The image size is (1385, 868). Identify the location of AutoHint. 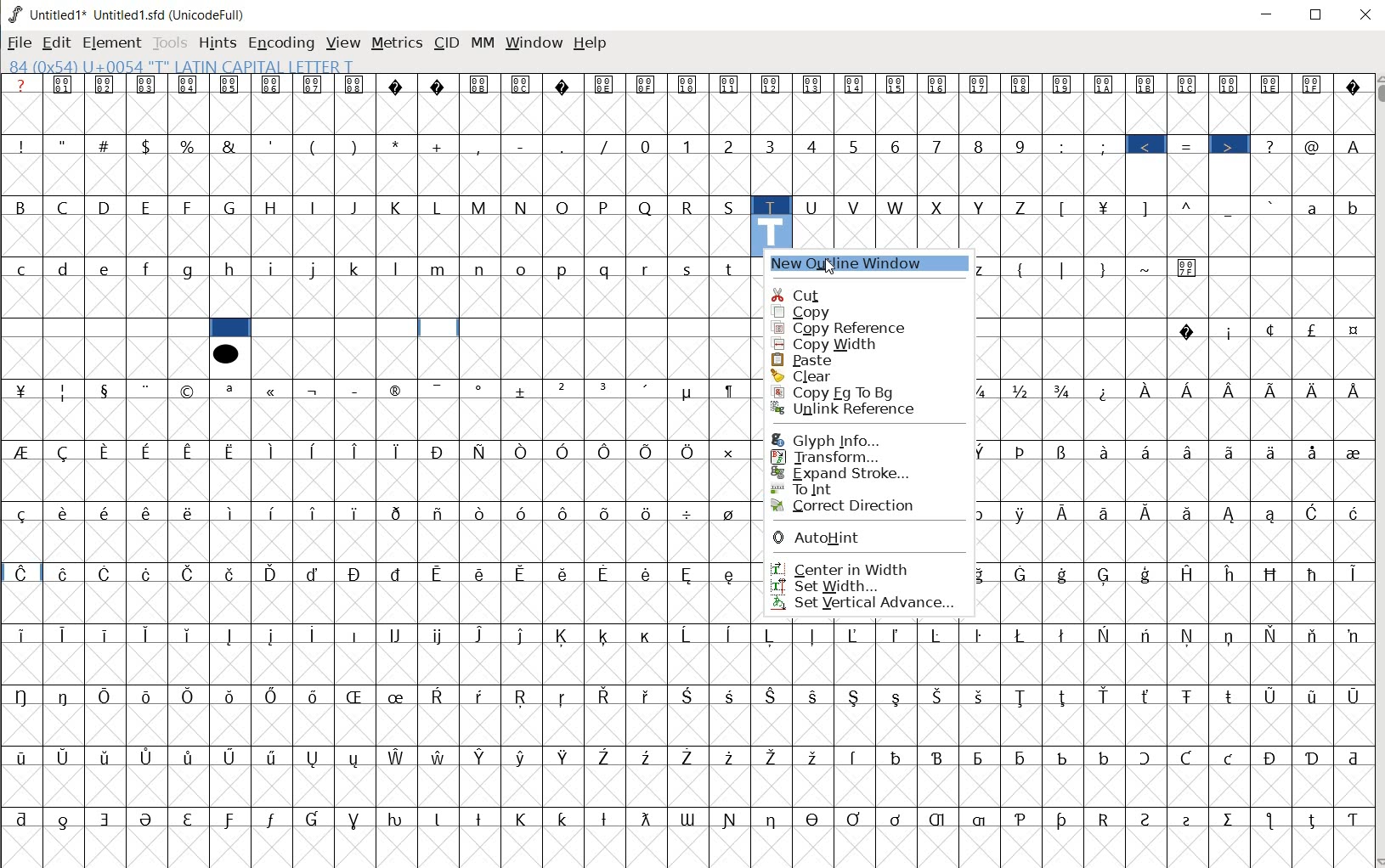
(827, 538).